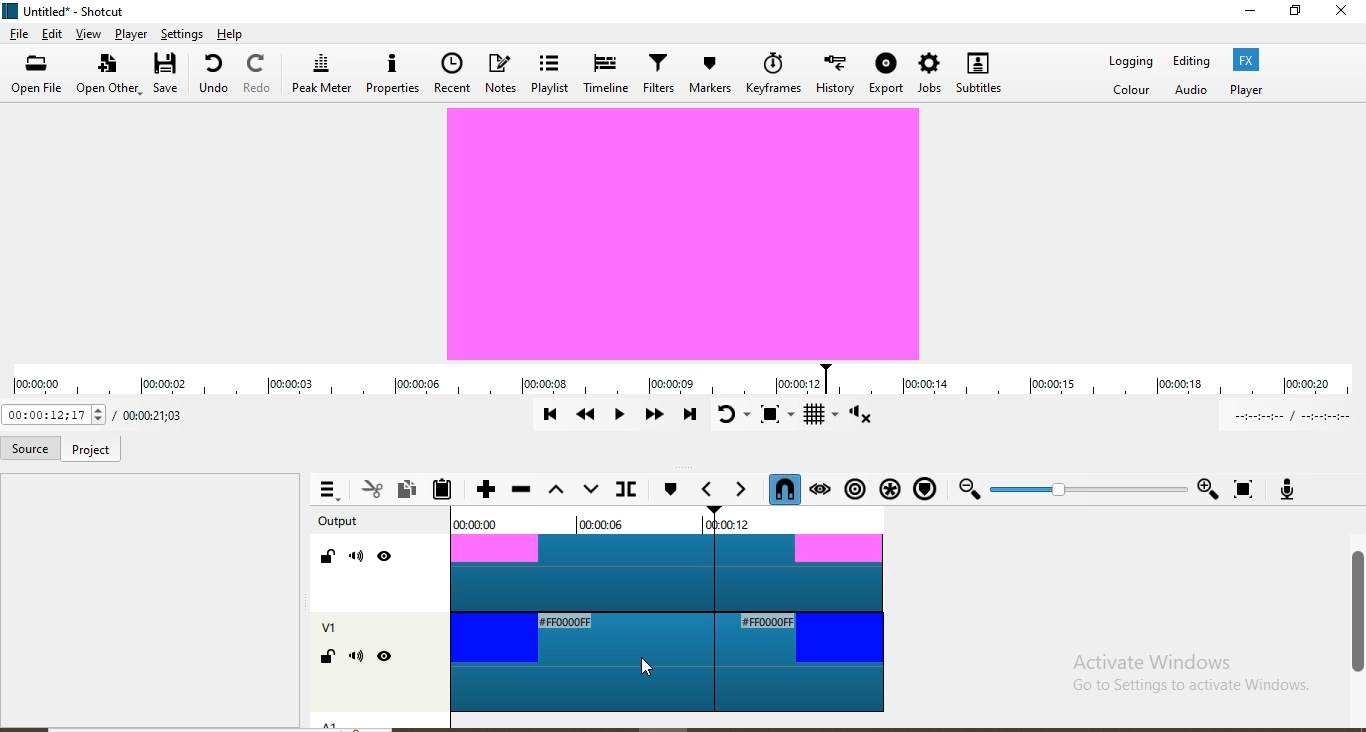 The image size is (1366, 732). Describe the element at coordinates (659, 72) in the screenshot. I see `Filters` at that location.